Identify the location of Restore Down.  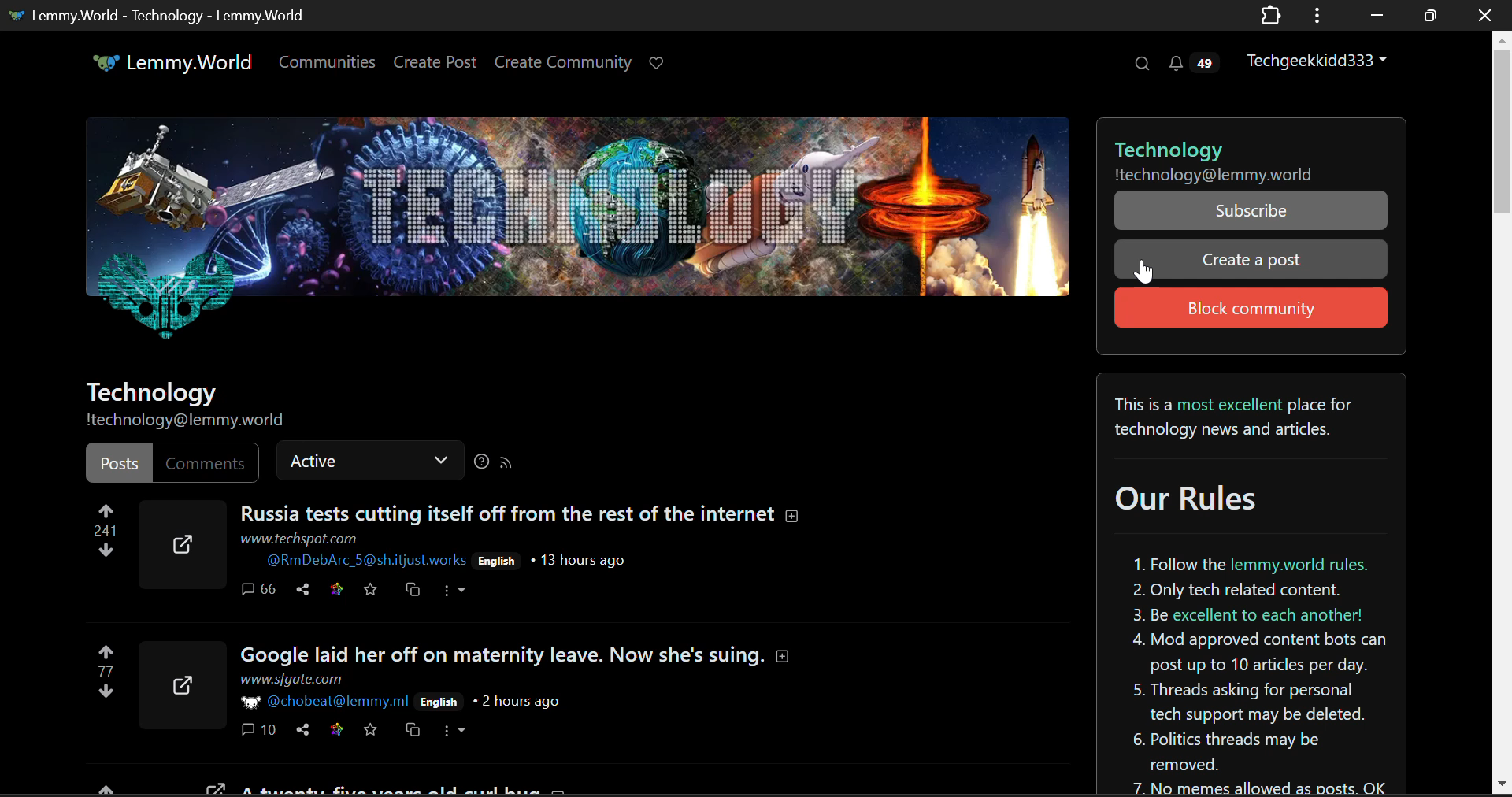
(1373, 13).